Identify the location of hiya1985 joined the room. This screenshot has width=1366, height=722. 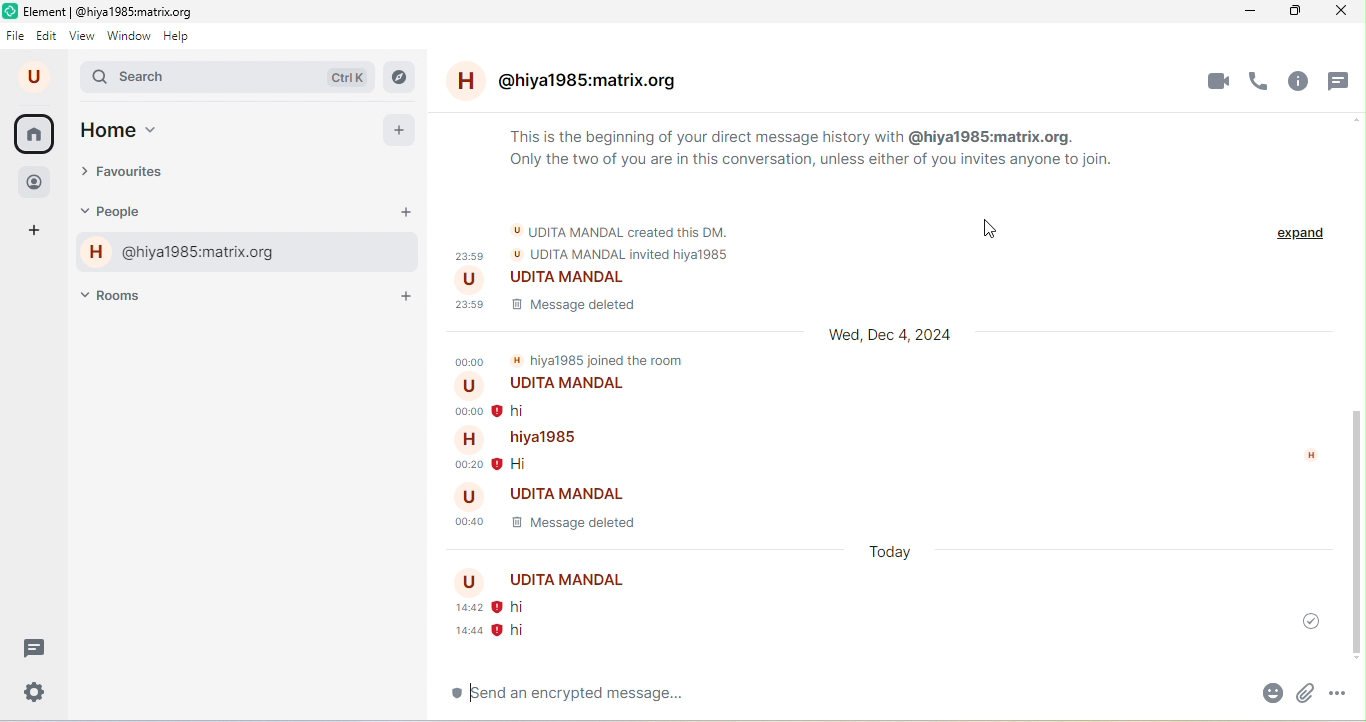
(600, 361).